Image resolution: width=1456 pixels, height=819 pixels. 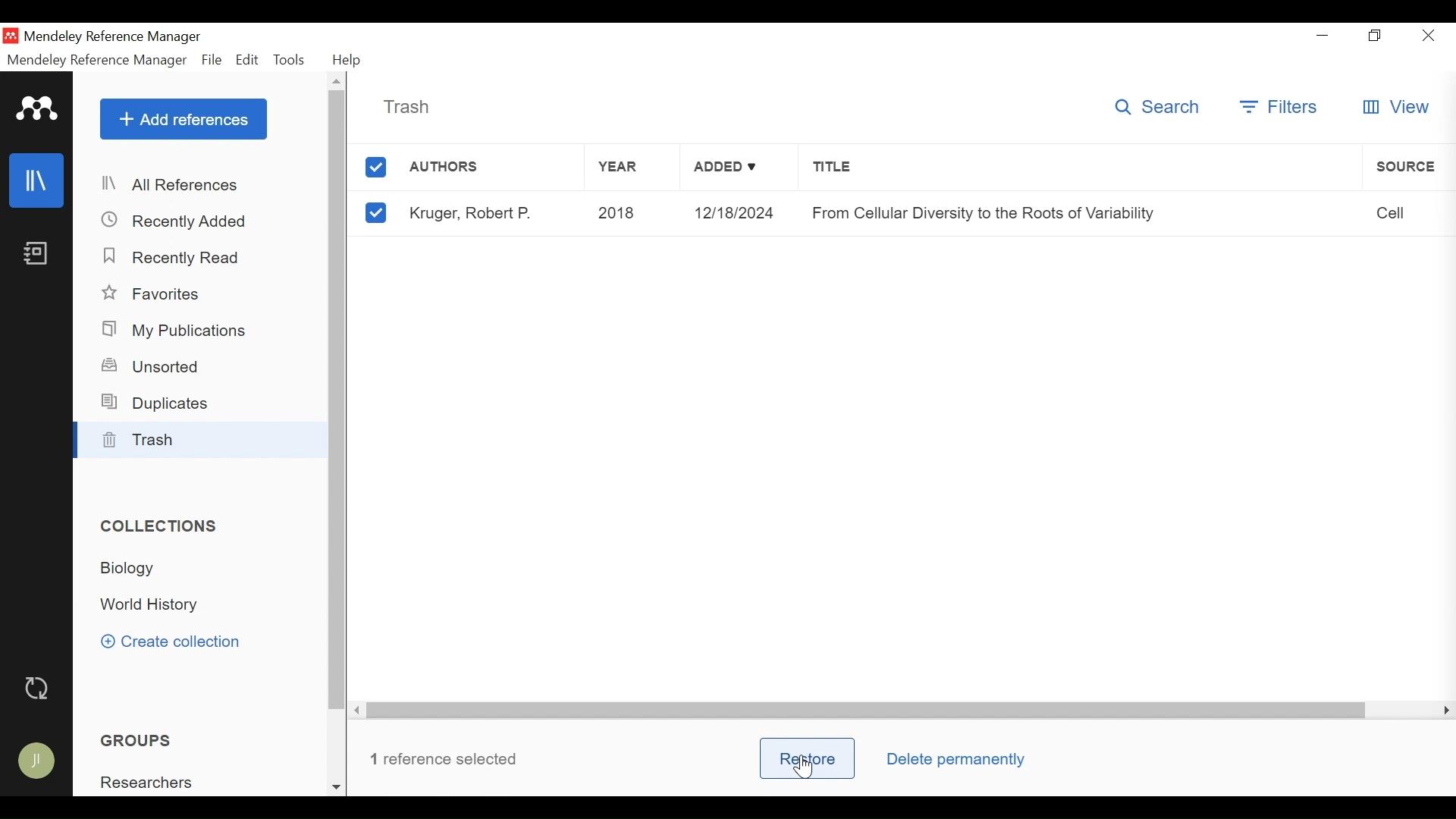 I want to click on Filters, so click(x=1278, y=108).